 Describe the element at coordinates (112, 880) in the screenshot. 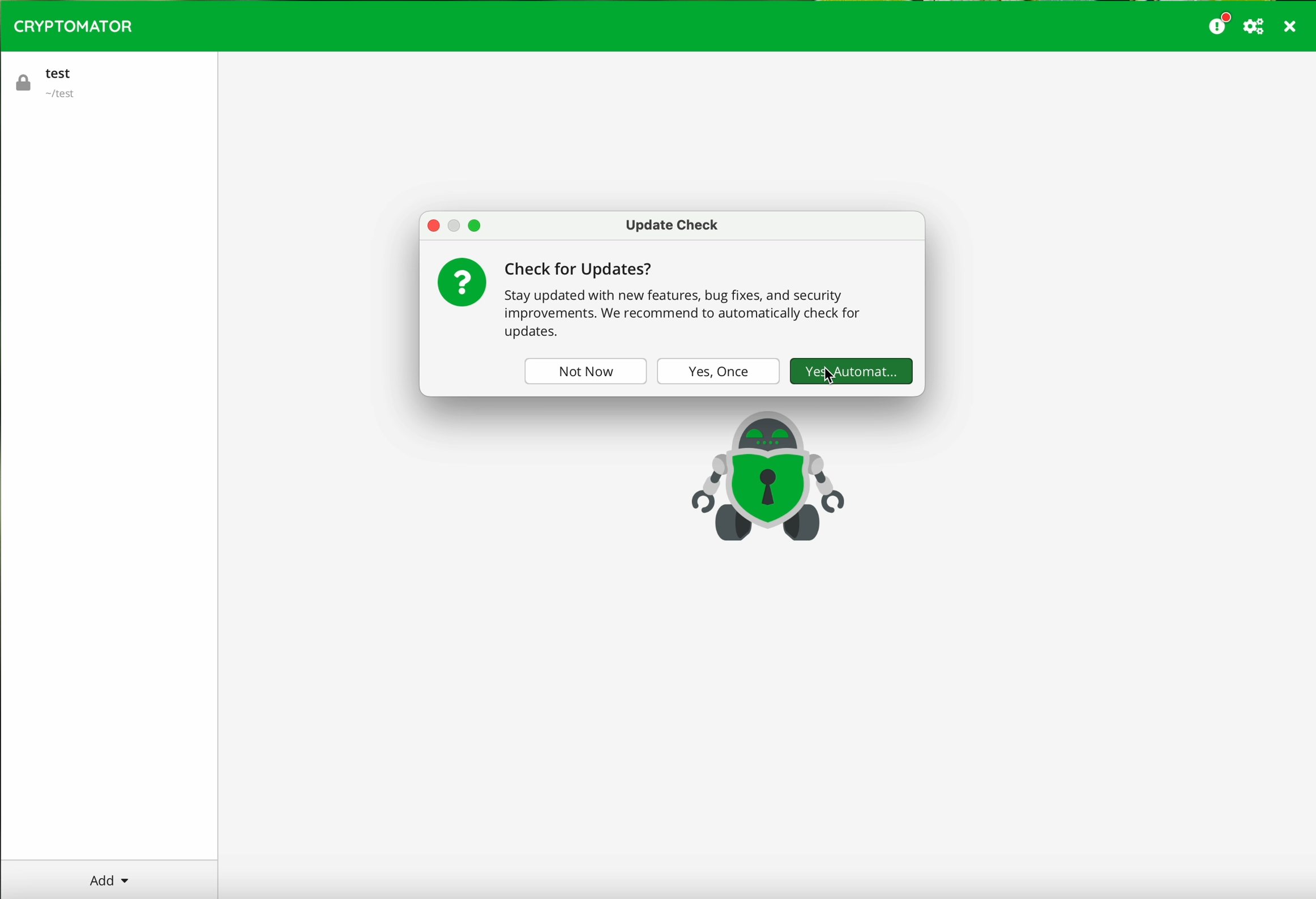

I see `Add` at that location.